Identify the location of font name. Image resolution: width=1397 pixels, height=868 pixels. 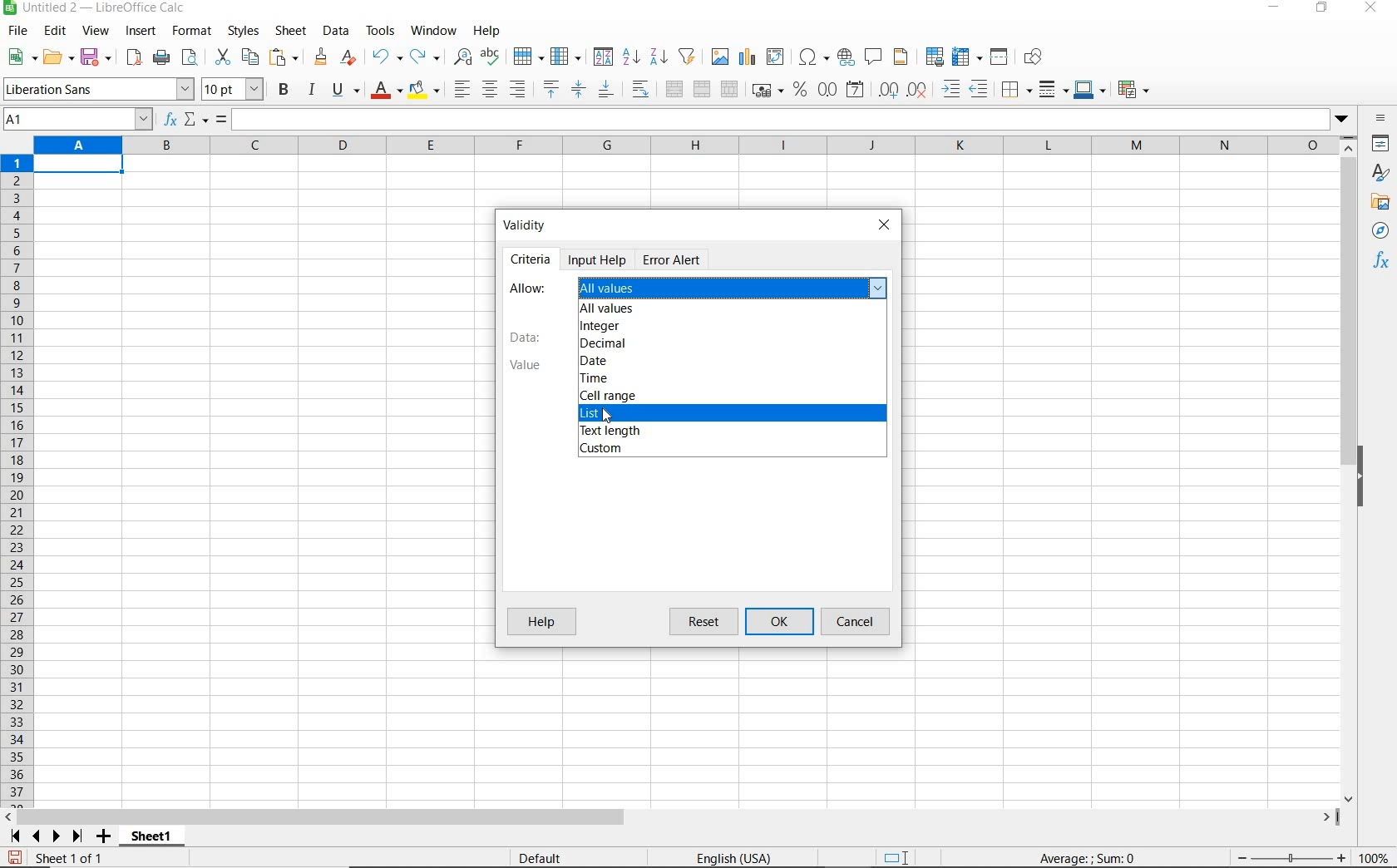
(98, 89).